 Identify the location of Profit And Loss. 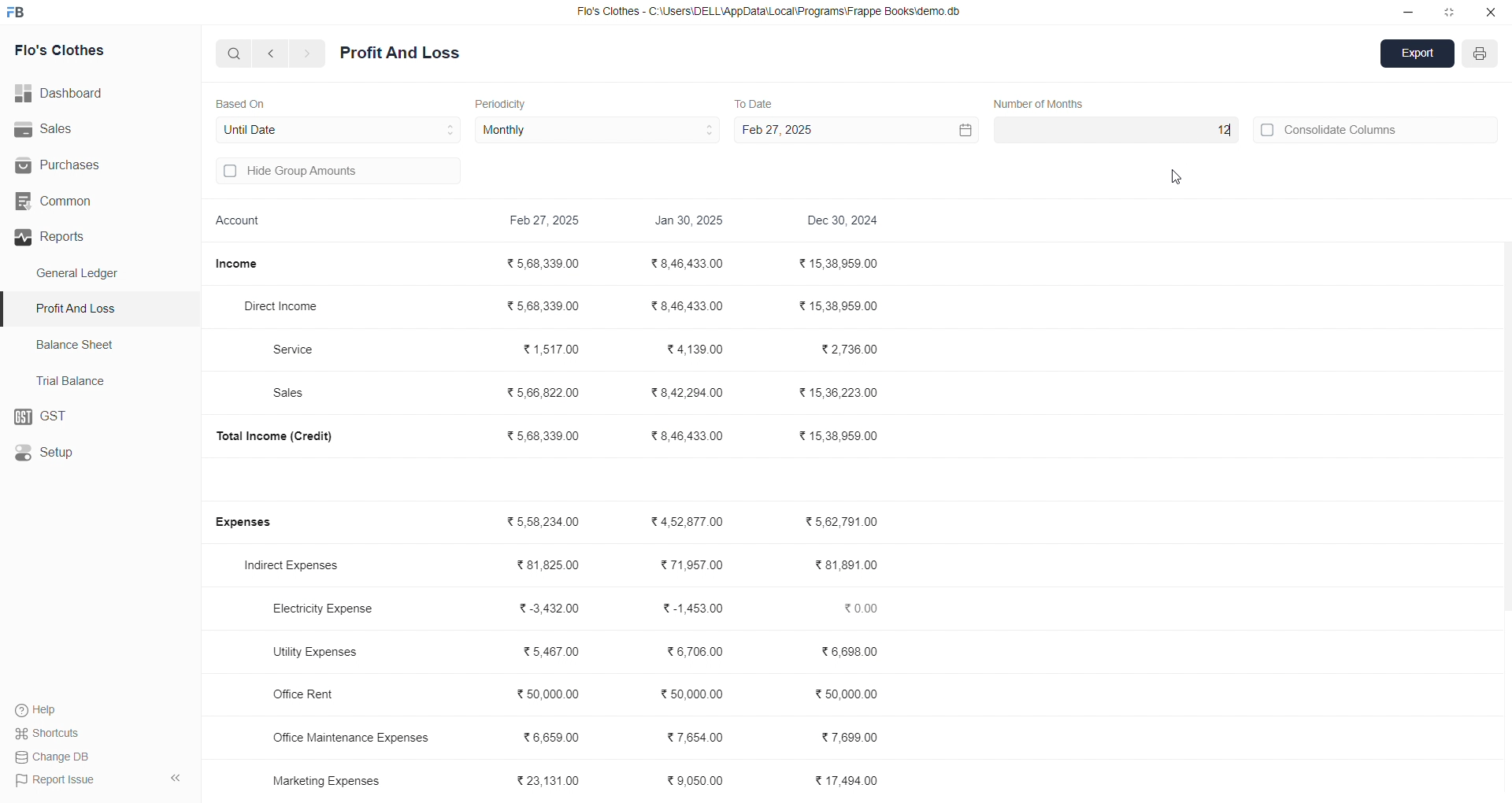
(400, 54).